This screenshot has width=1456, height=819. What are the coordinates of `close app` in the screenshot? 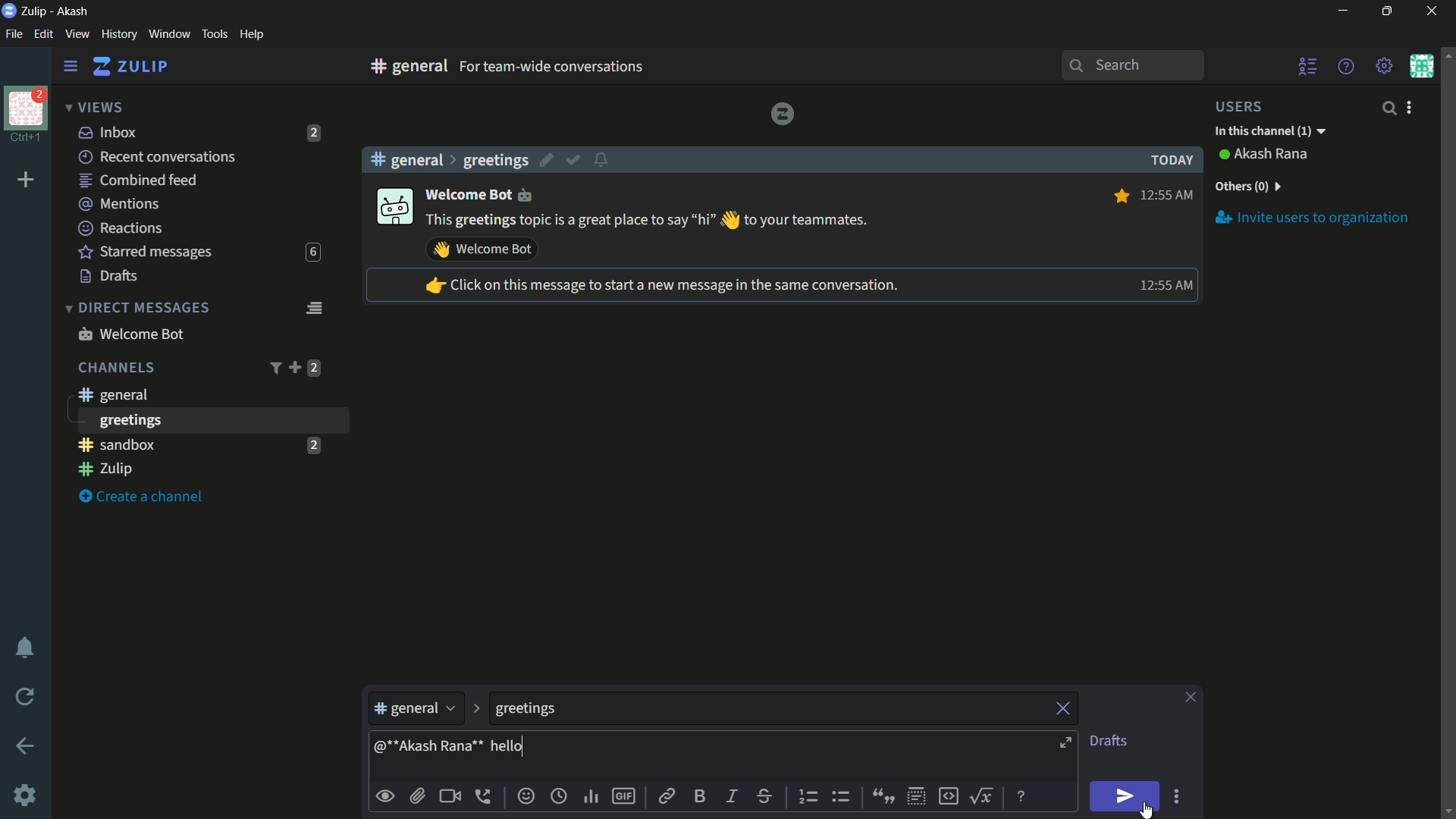 It's located at (1429, 11).